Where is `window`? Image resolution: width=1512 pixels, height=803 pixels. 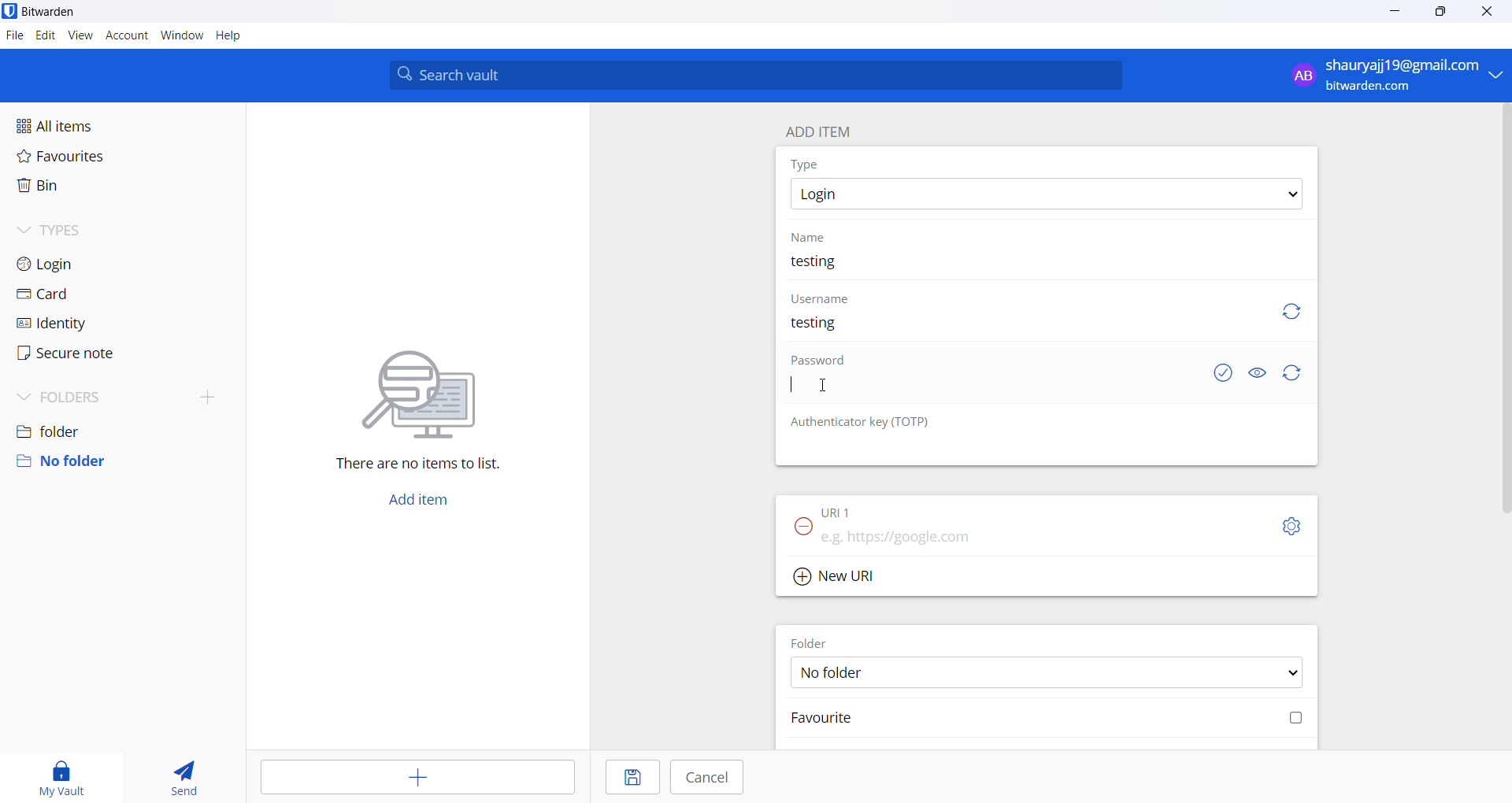
window is located at coordinates (182, 35).